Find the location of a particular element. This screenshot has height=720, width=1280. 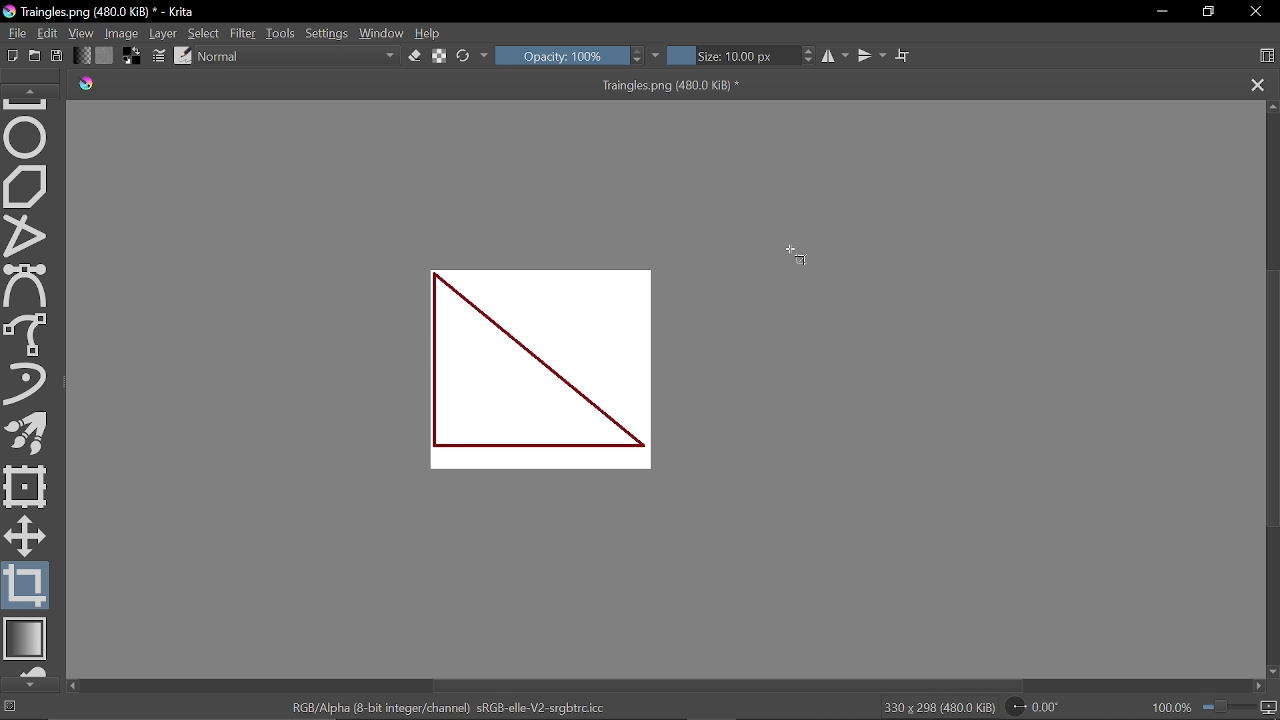

734 x 298 (960.0 KiB) is located at coordinates (938, 708).